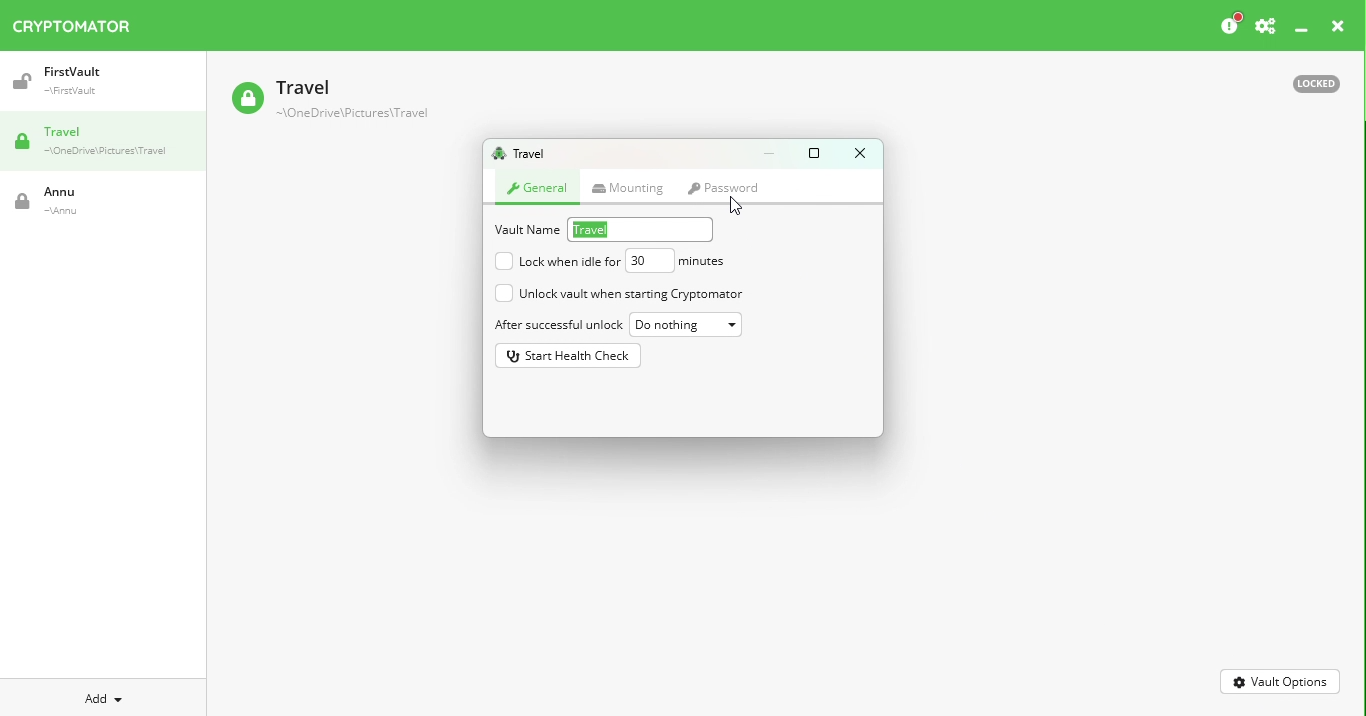 The image size is (1366, 716). I want to click on Close, so click(859, 153).